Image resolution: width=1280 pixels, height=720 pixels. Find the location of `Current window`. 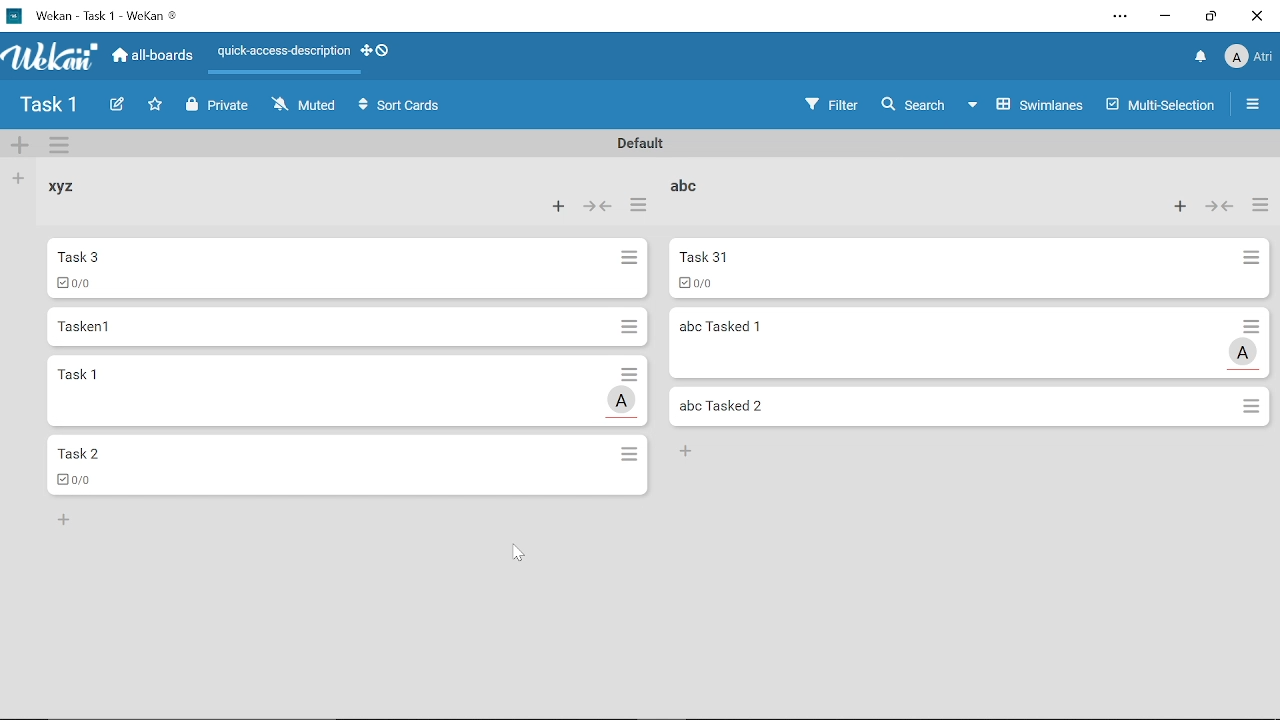

Current window is located at coordinates (92, 14).